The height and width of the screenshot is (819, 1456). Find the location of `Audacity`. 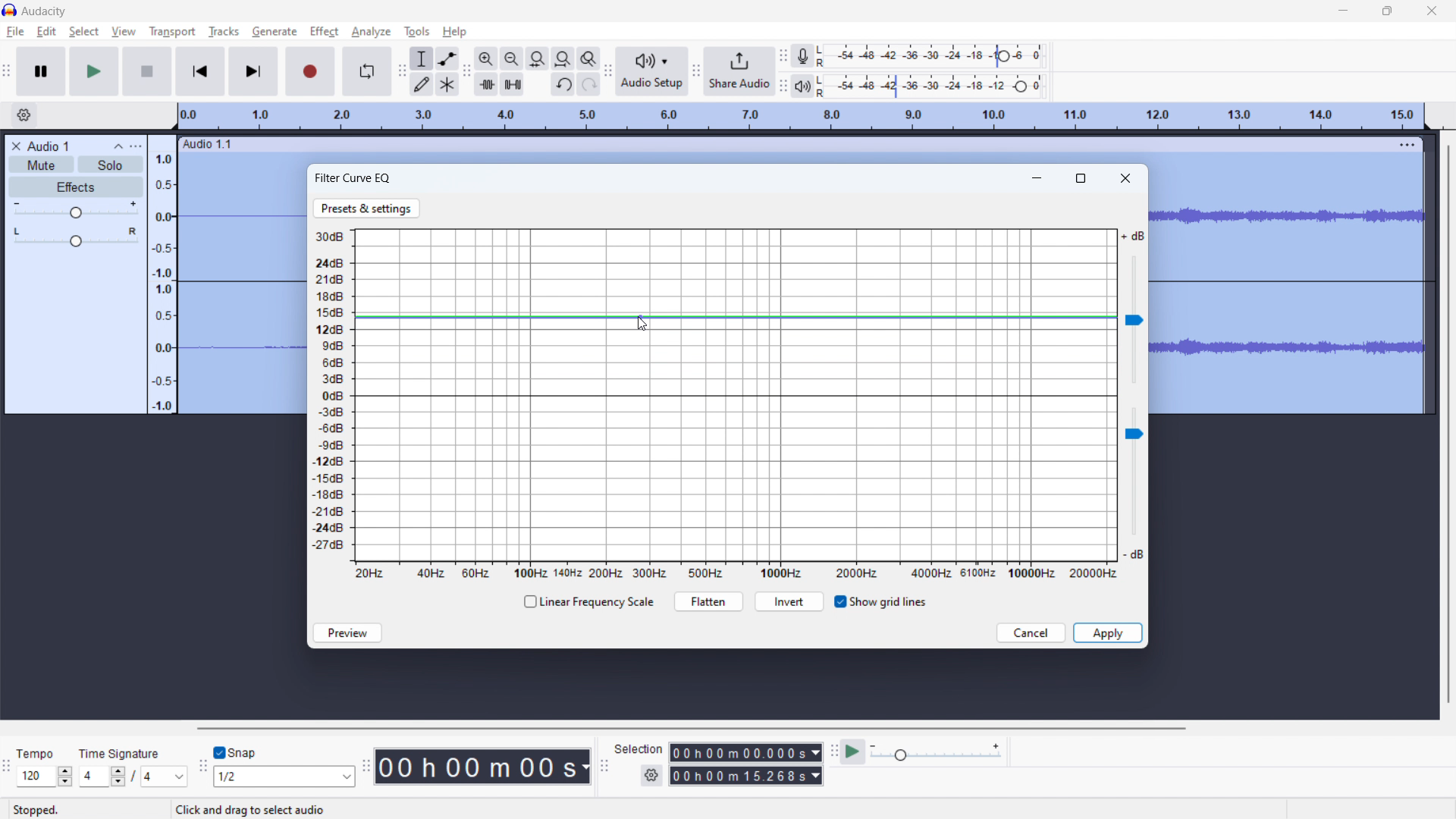

Audacity is located at coordinates (45, 11).